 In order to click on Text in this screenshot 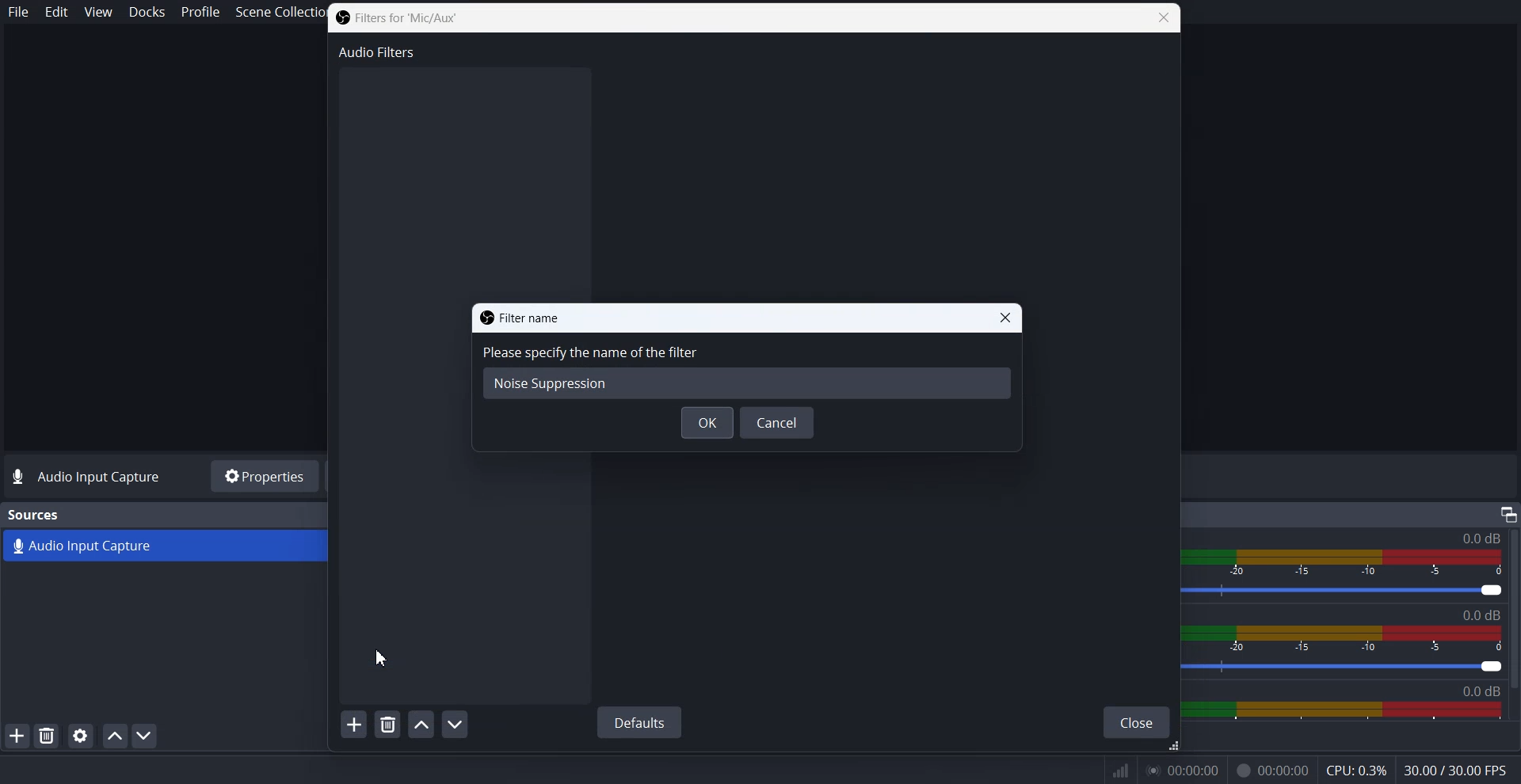, I will do `click(35, 515)`.